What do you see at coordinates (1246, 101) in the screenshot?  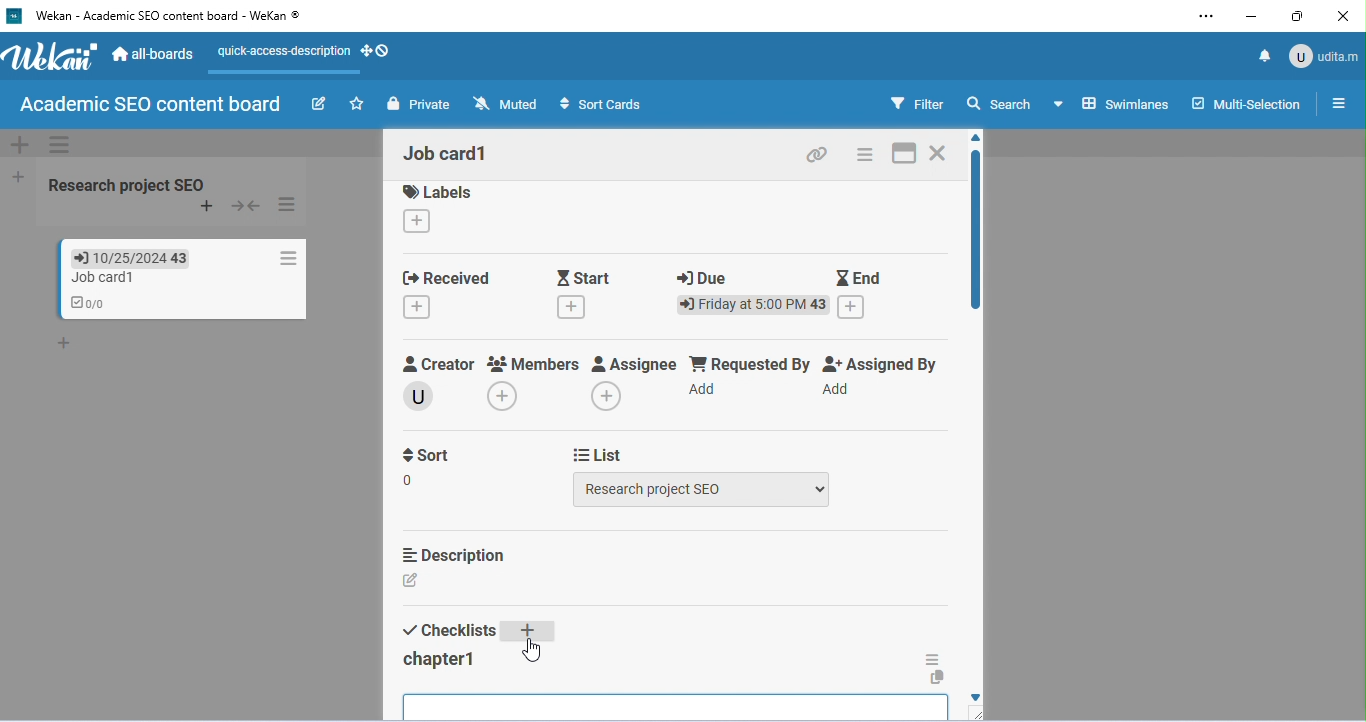 I see `multi-selection` at bounding box center [1246, 101].